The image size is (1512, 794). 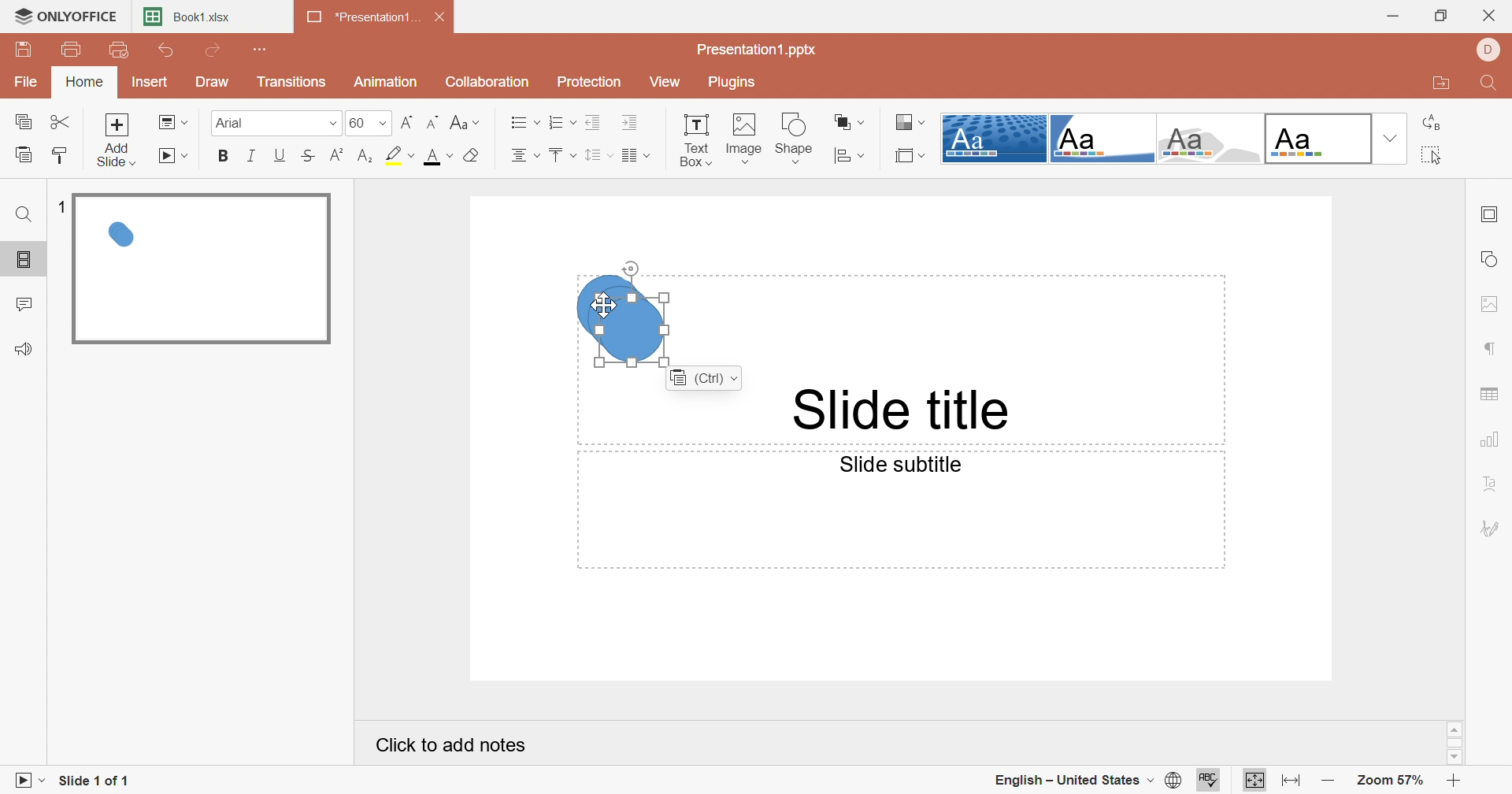 What do you see at coordinates (84, 81) in the screenshot?
I see `Home` at bounding box center [84, 81].